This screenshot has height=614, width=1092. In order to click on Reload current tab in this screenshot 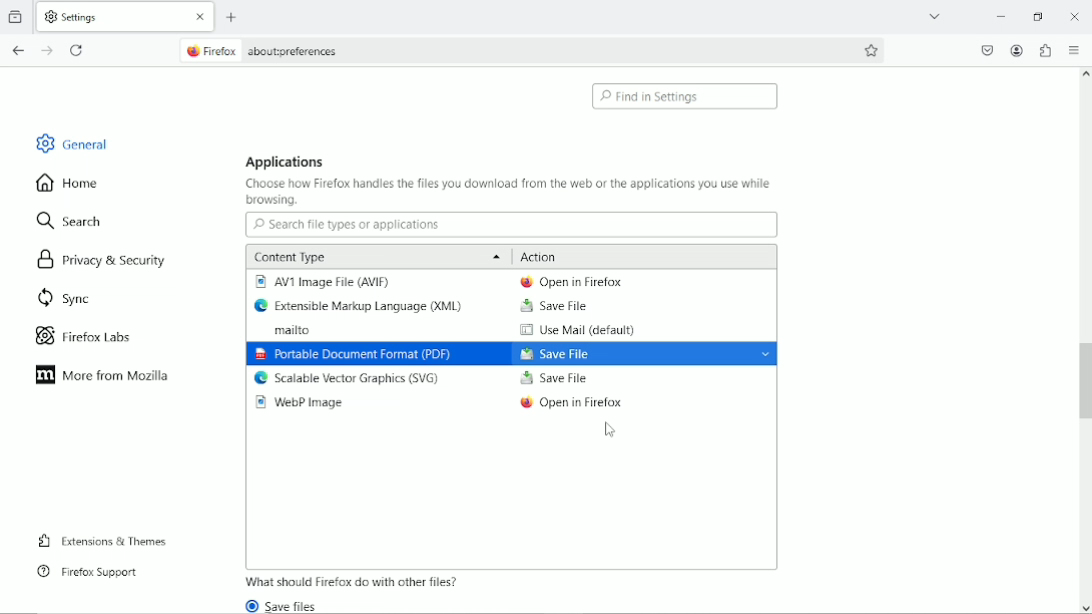, I will do `click(77, 52)`.